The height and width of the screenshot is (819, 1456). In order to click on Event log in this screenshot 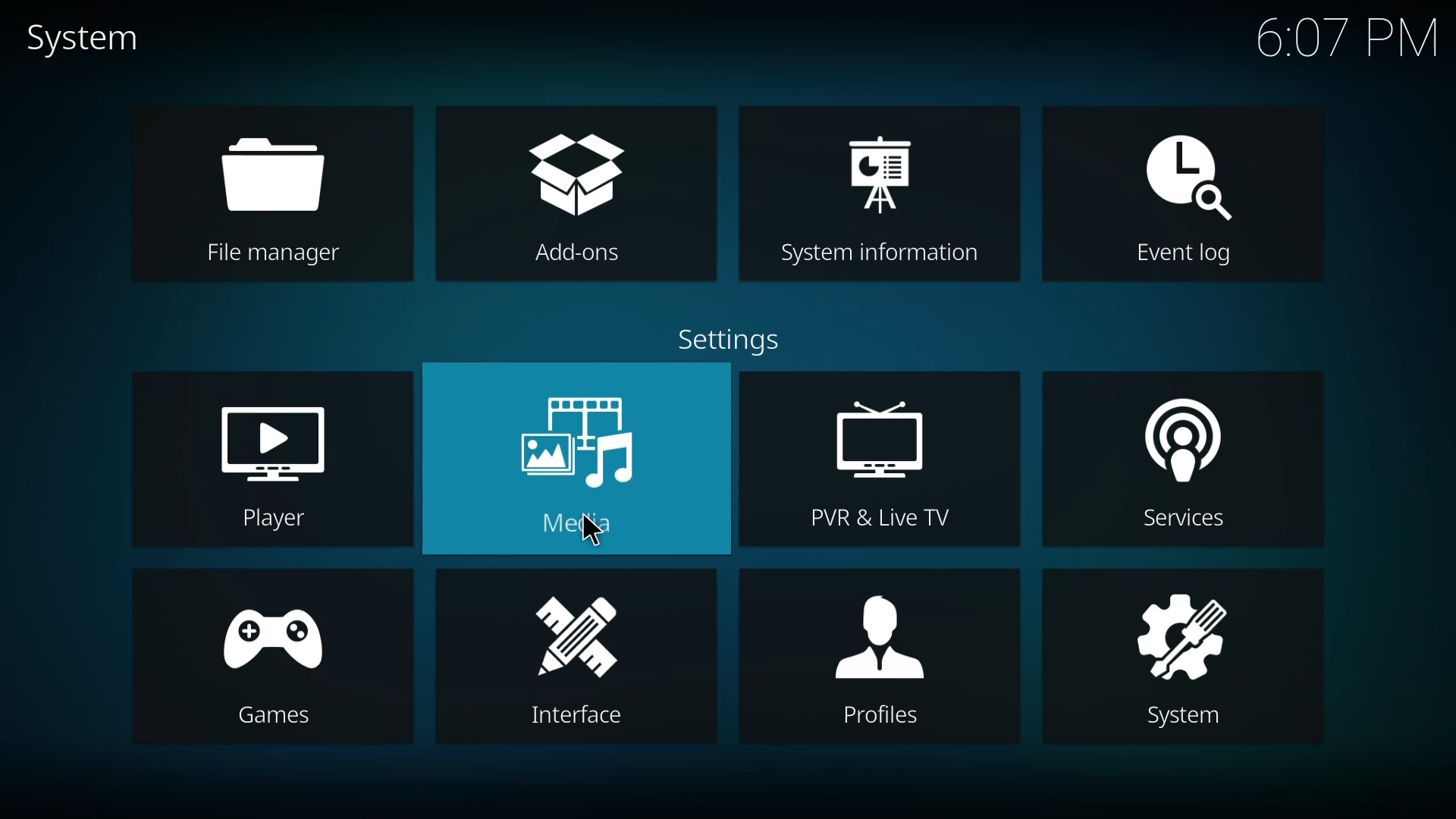, I will do `click(1182, 256)`.